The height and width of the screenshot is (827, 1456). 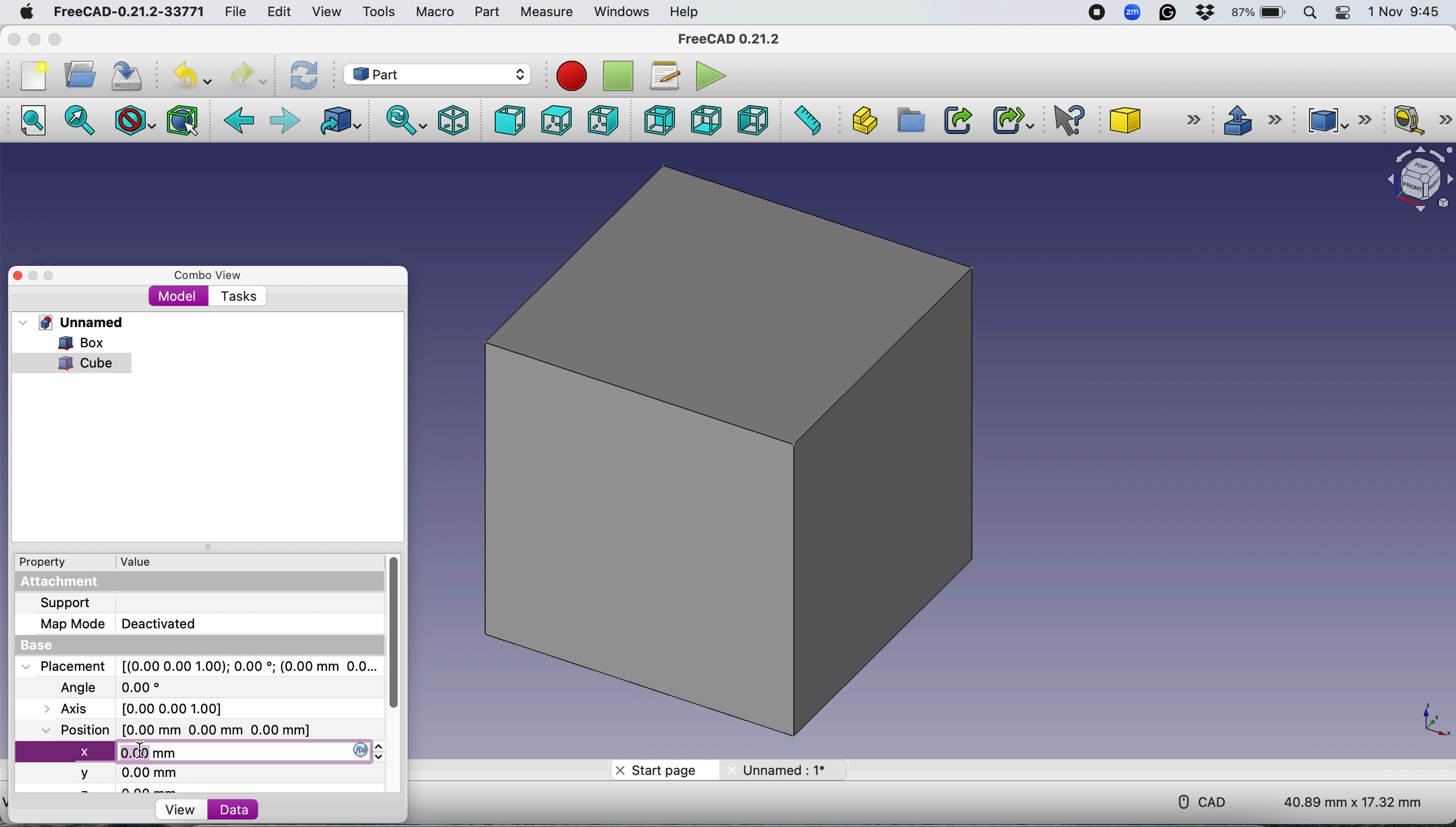 I want to click on Measure linear, so click(x=1422, y=122).